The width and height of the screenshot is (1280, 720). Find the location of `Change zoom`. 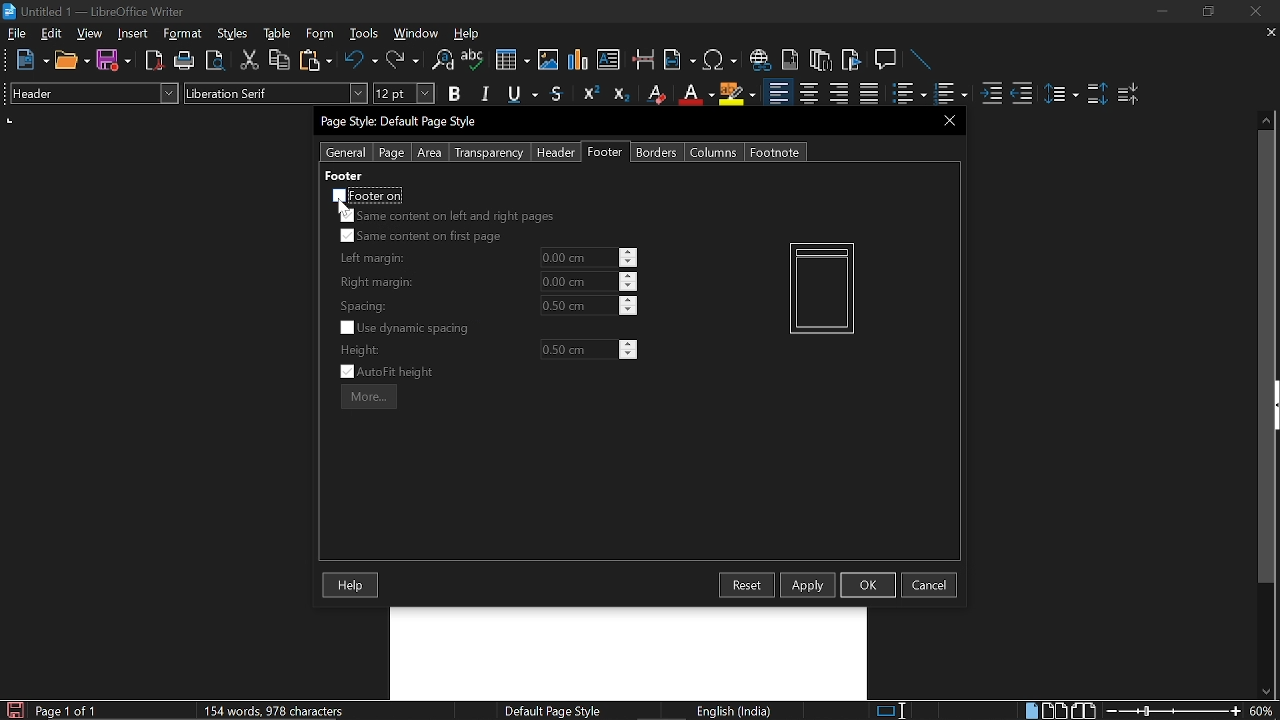

Change zoom is located at coordinates (1174, 711).